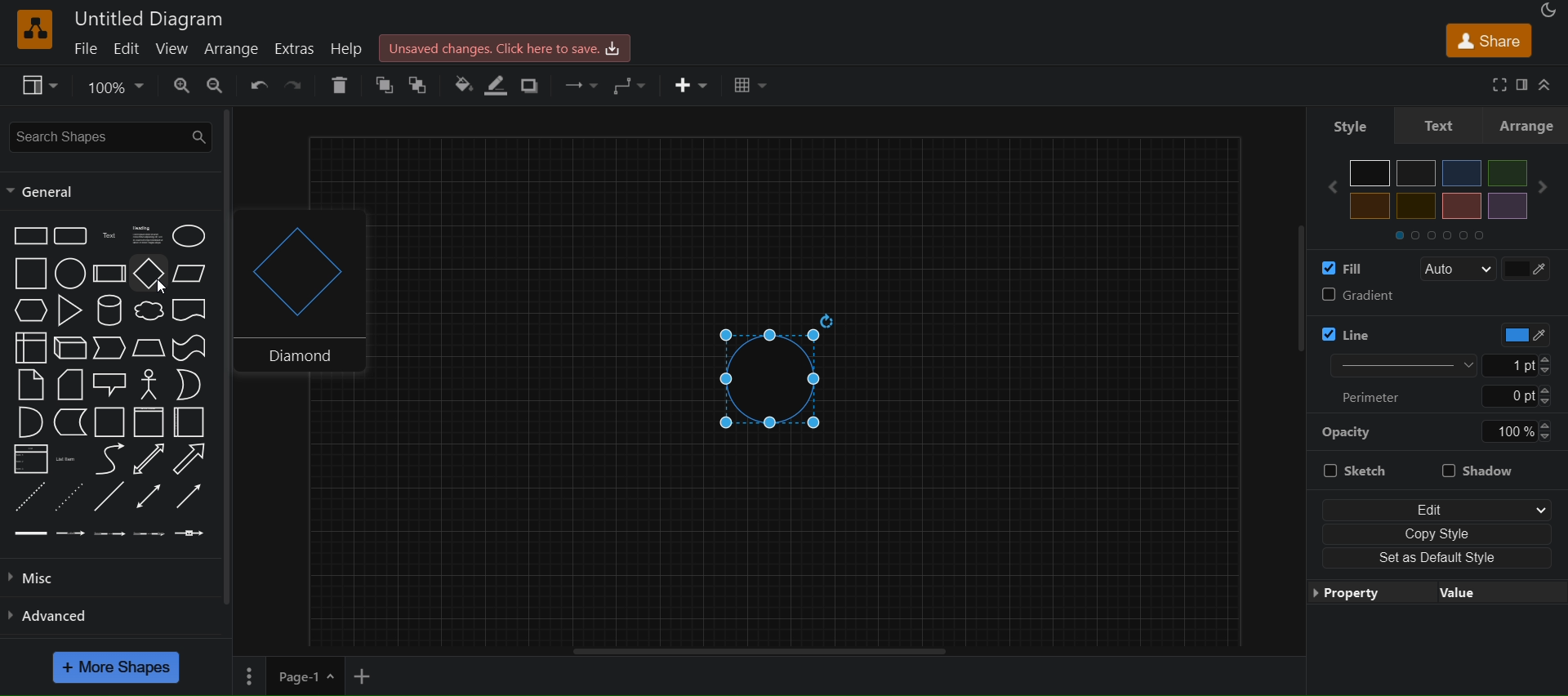 The image size is (1568, 696). What do you see at coordinates (1478, 468) in the screenshot?
I see `shadow` at bounding box center [1478, 468].